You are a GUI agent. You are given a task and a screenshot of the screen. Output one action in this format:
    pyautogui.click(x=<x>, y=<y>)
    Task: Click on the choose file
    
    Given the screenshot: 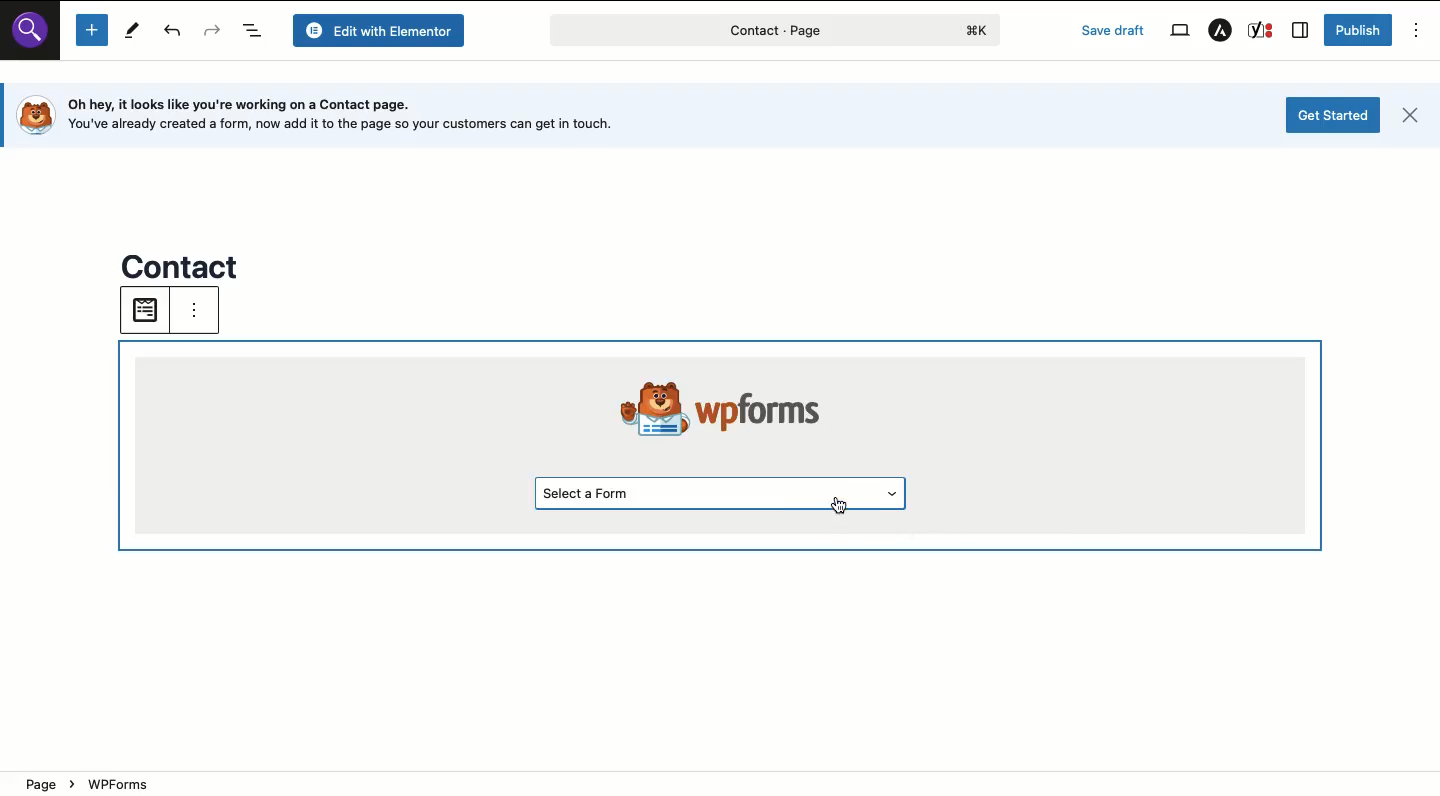 What is the action you would take?
    pyautogui.click(x=143, y=310)
    